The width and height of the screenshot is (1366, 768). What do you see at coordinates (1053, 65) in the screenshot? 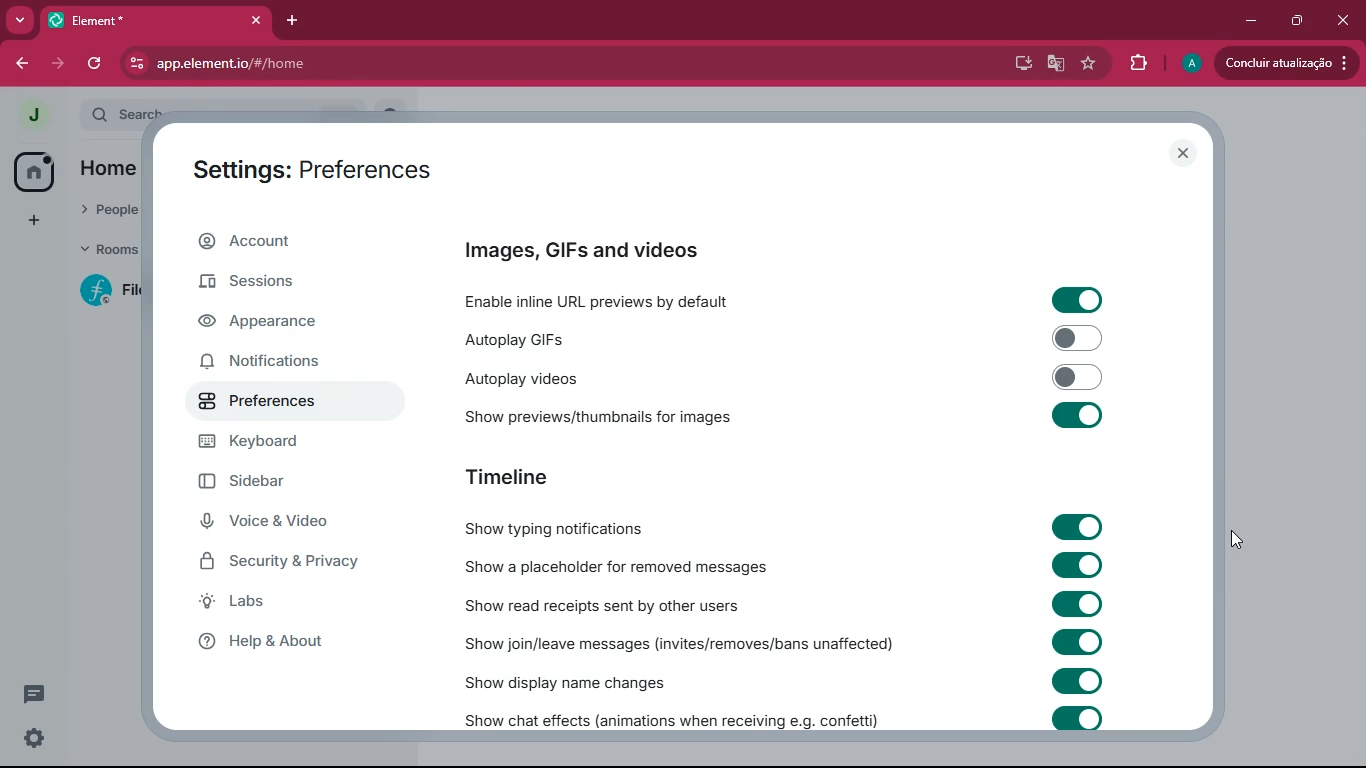
I see `google translate` at bounding box center [1053, 65].